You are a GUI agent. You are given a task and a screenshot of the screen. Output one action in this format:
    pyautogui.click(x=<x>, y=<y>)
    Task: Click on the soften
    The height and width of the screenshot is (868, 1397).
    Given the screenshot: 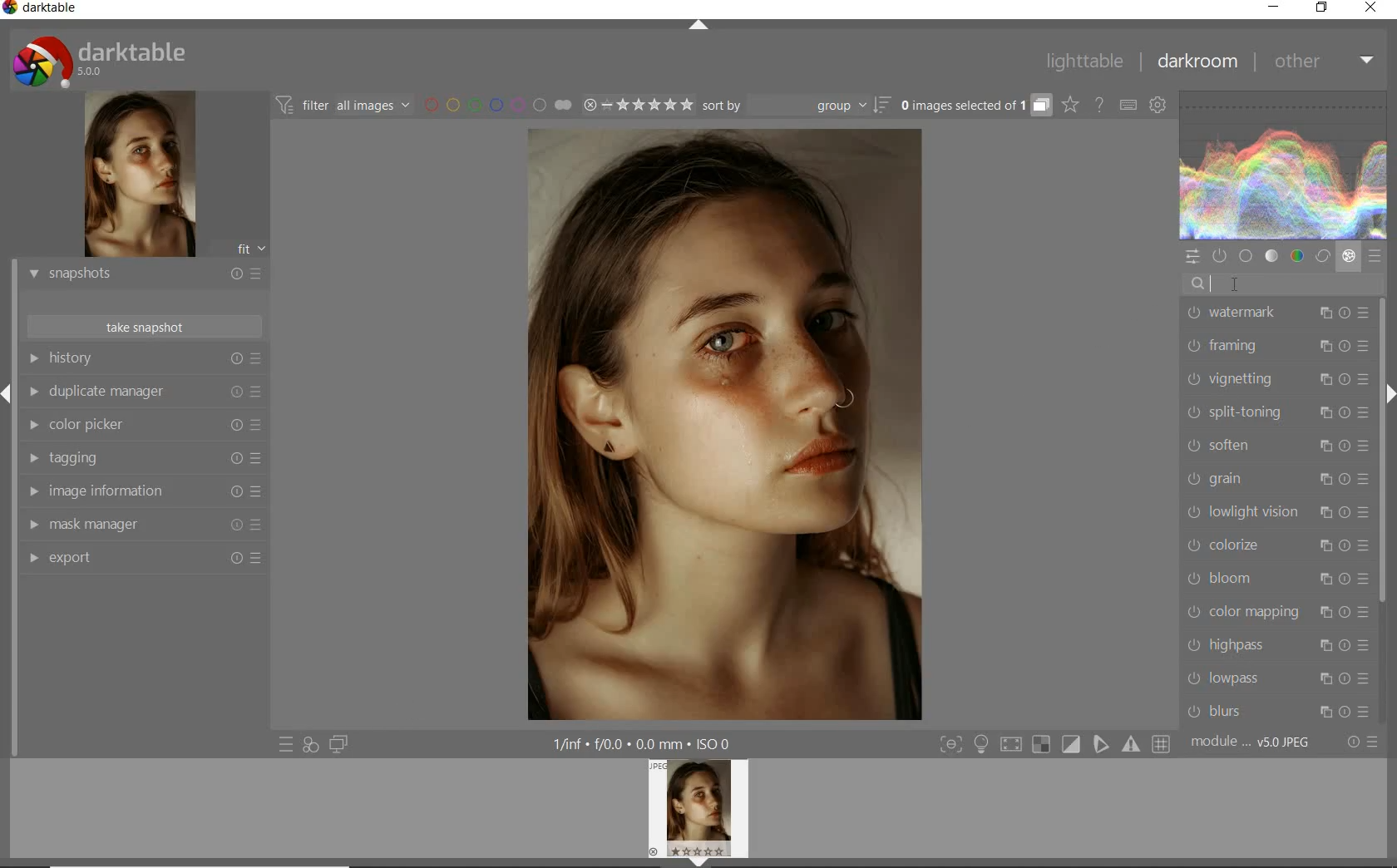 What is the action you would take?
    pyautogui.click(x=1276, y=446)
    